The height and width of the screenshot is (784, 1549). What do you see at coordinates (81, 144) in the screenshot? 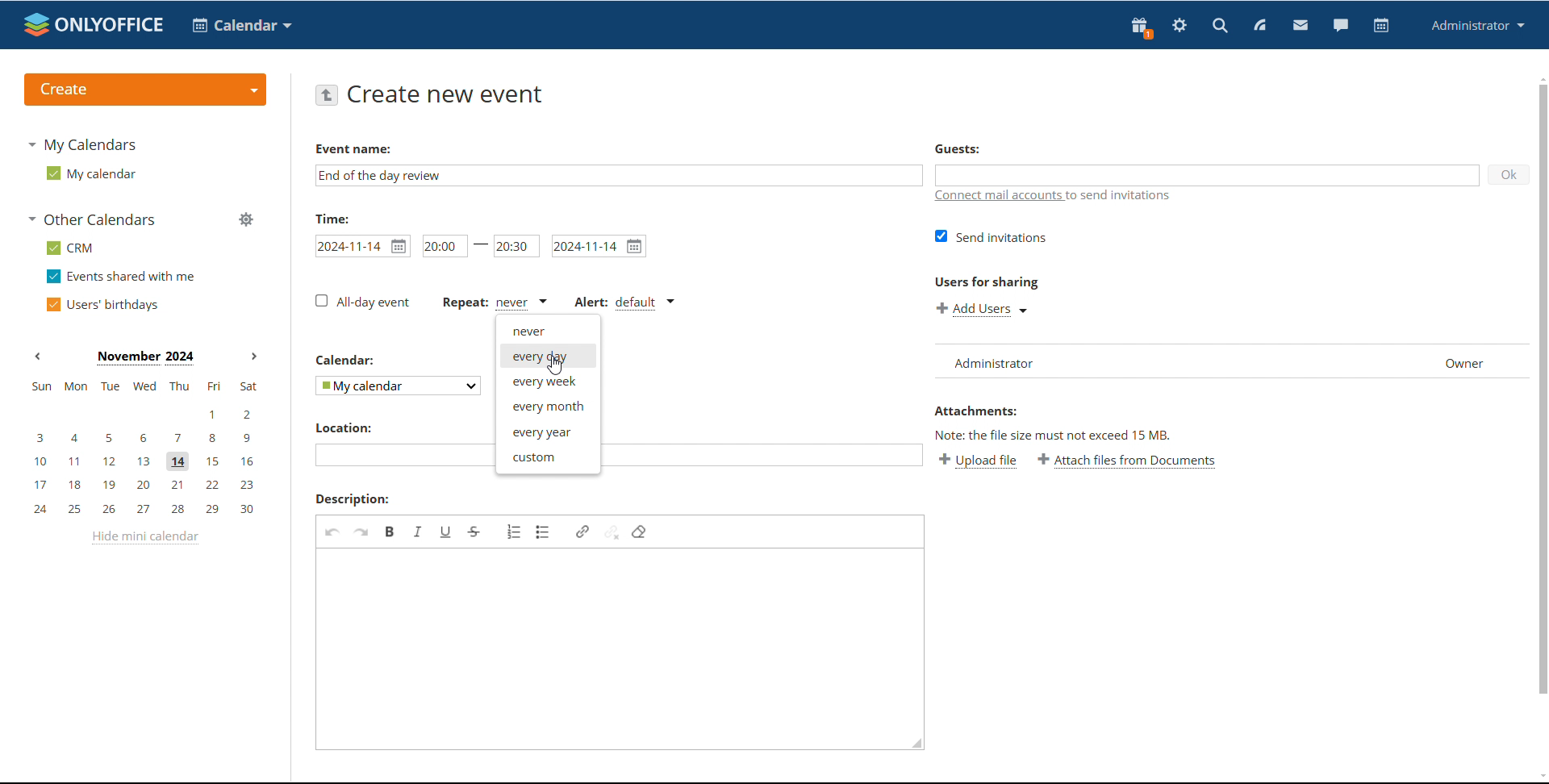
I see `my calendars` at bounding box center [81, 144].